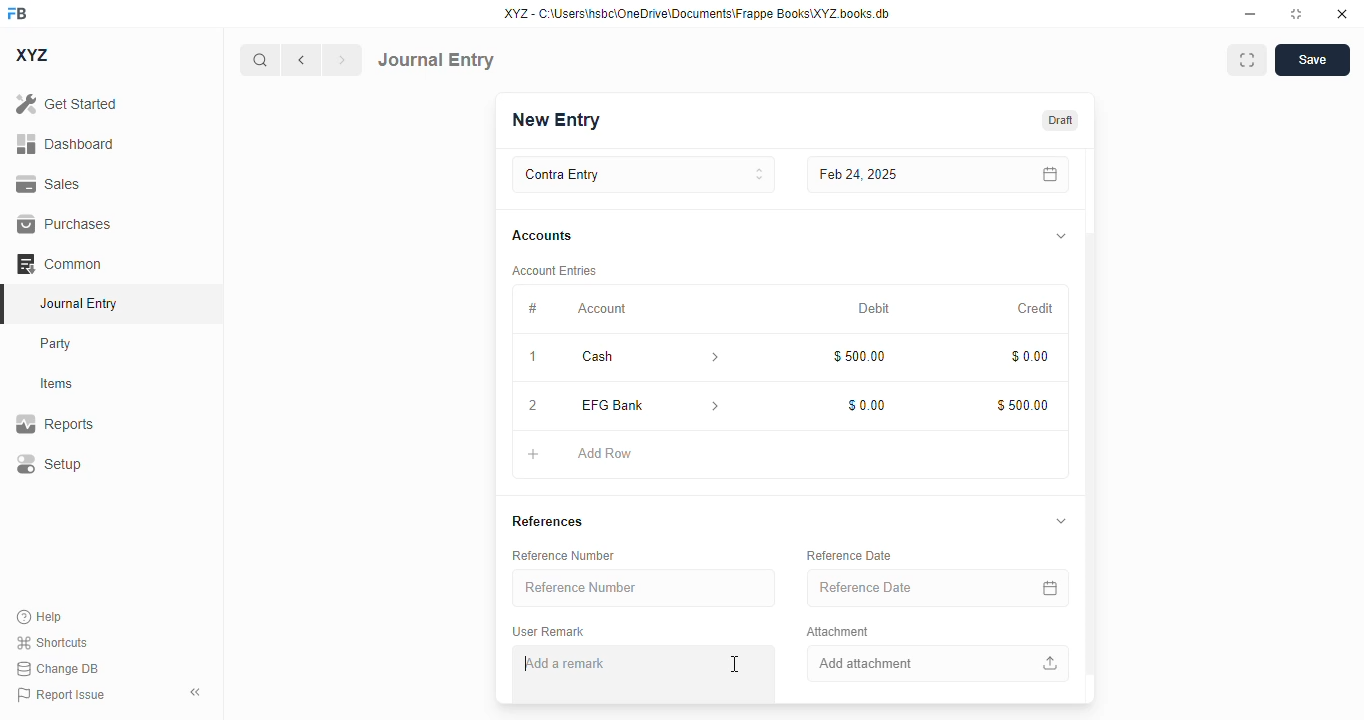 Image resolution: width=1364 pixels, height=720 pixels. Describe the element at coordinates (1035, 308) in the screenshot. I see `credit` at that location.